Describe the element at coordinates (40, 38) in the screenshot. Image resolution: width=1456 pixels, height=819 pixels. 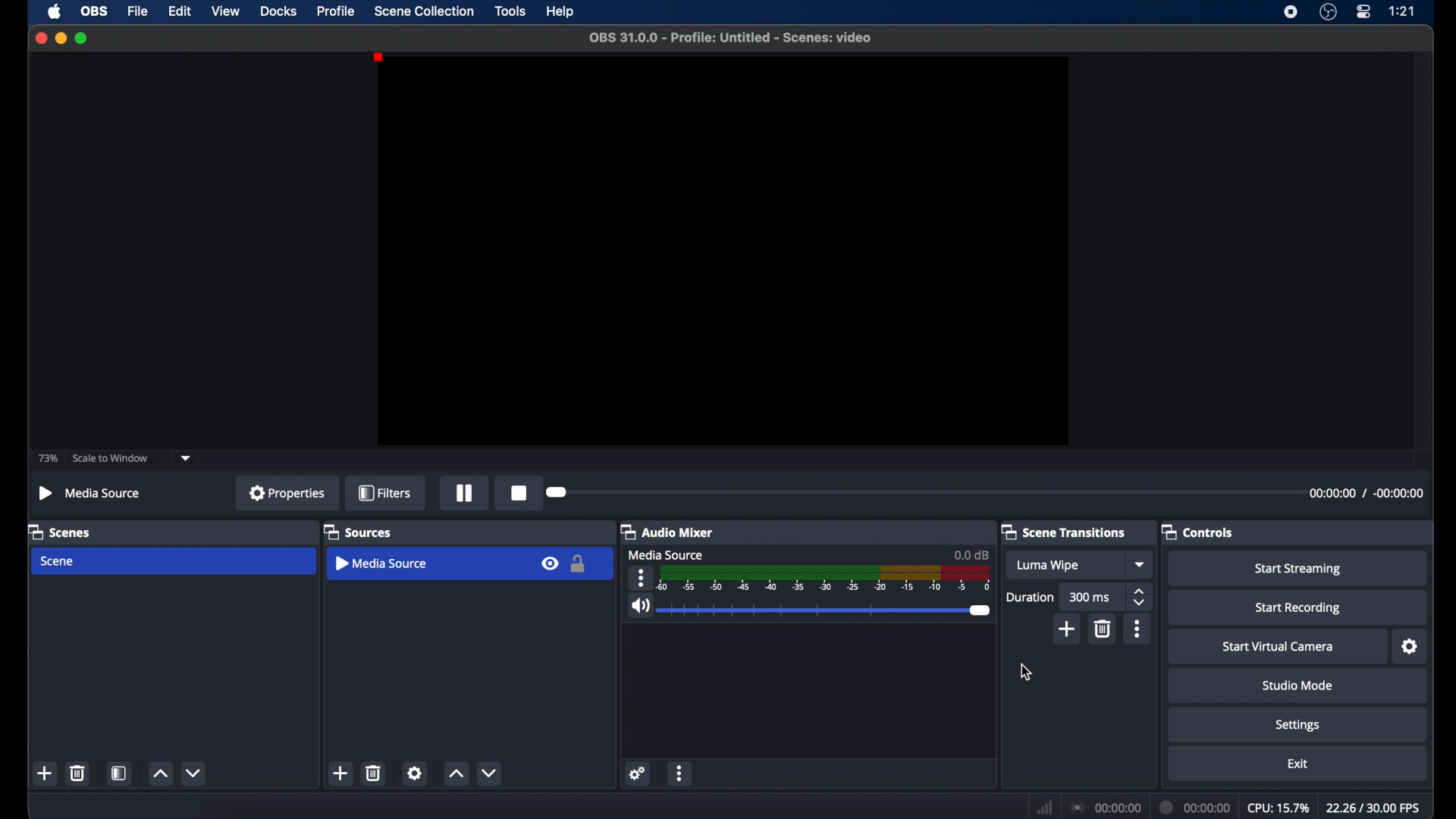
I see `close` at that location.